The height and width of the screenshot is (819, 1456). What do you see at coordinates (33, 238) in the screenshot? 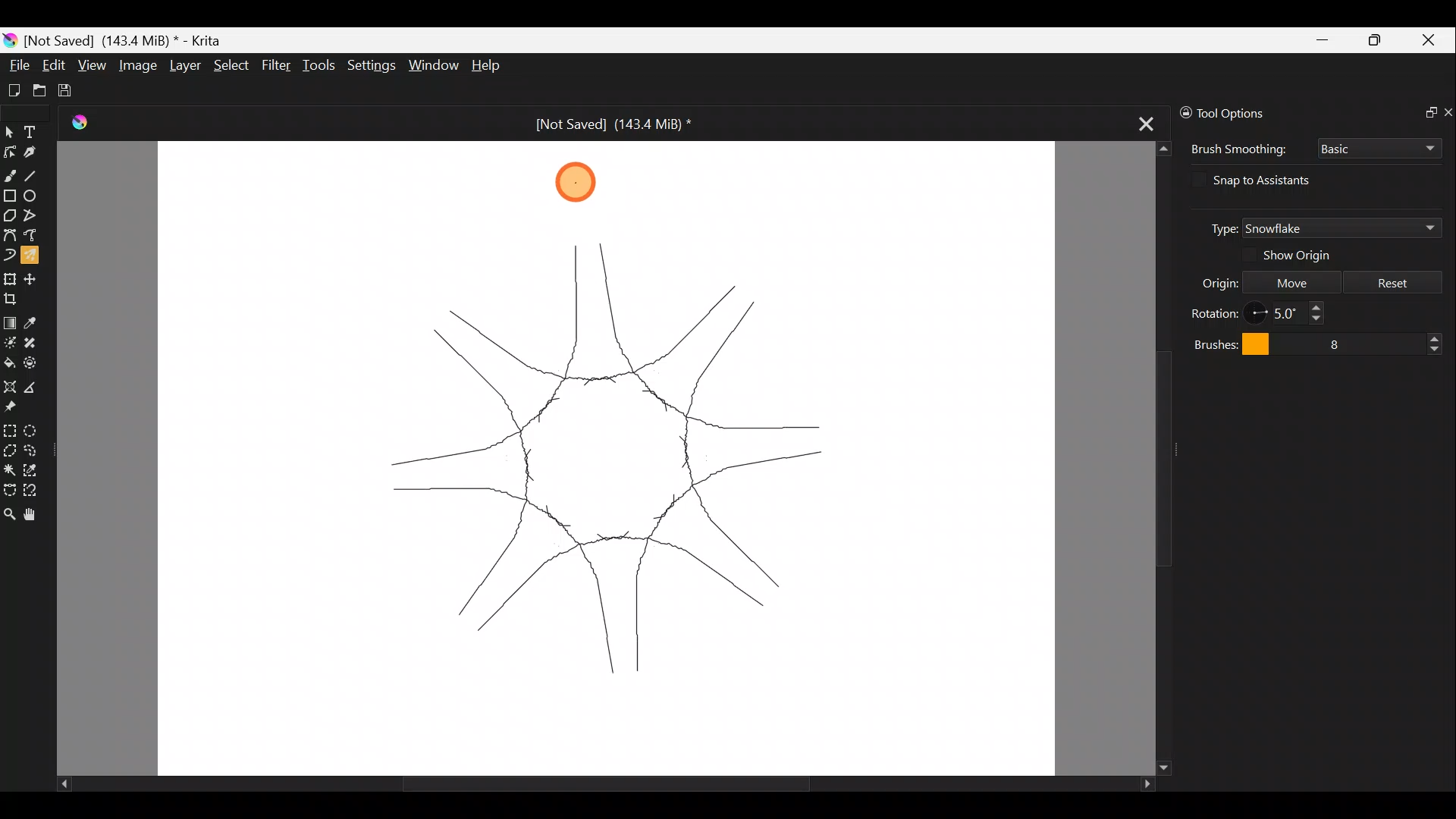
I see `Freehand path tool` at bounding box center [33, 238].